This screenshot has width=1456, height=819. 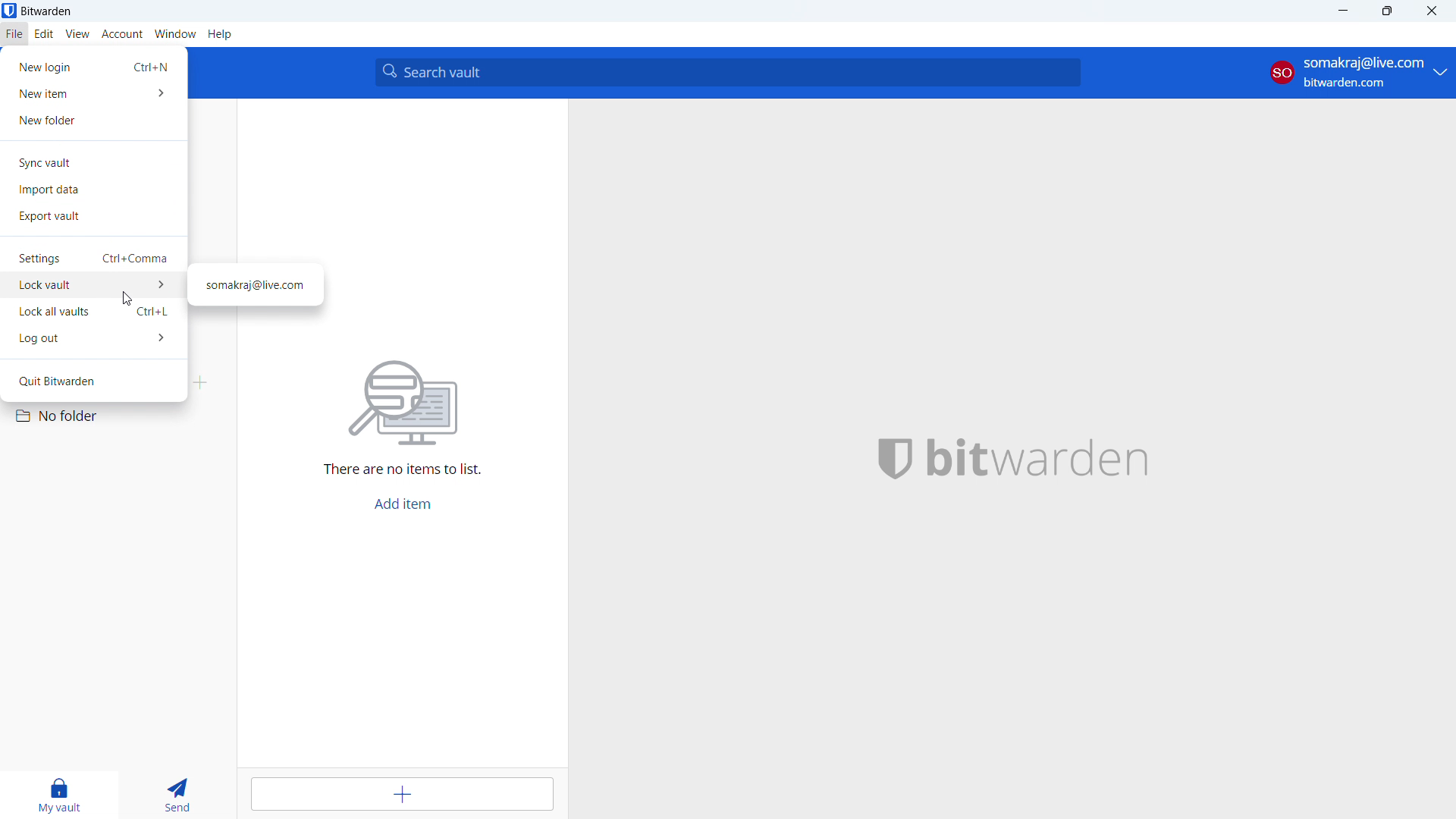 I want to click on edit, so click(x=44, y=34).